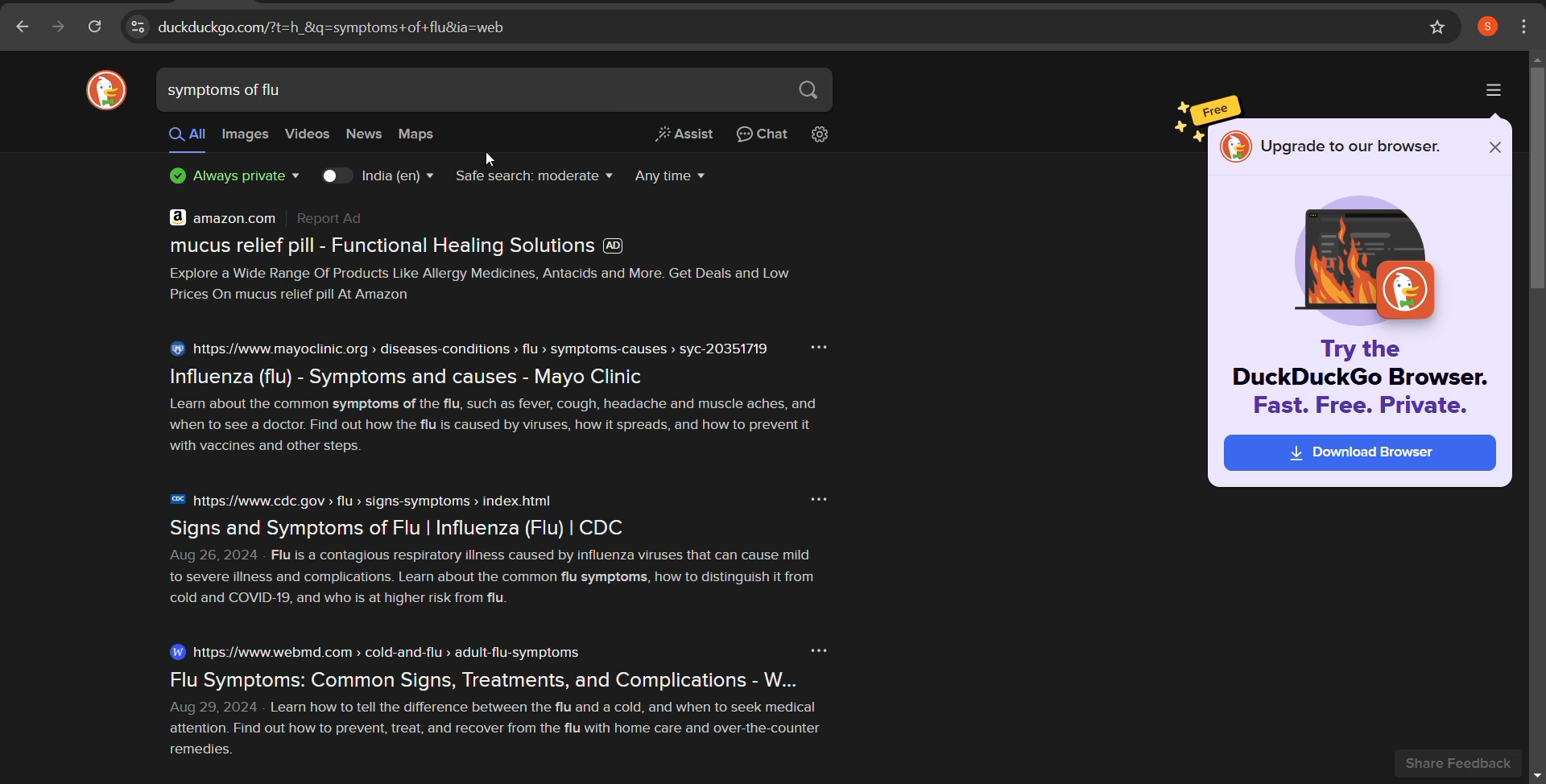 This screenshot has width=1546, height=784. What do you see at coordinates (394, 178) in the screenshot?
I see `location` at bounding box center [394, 178].